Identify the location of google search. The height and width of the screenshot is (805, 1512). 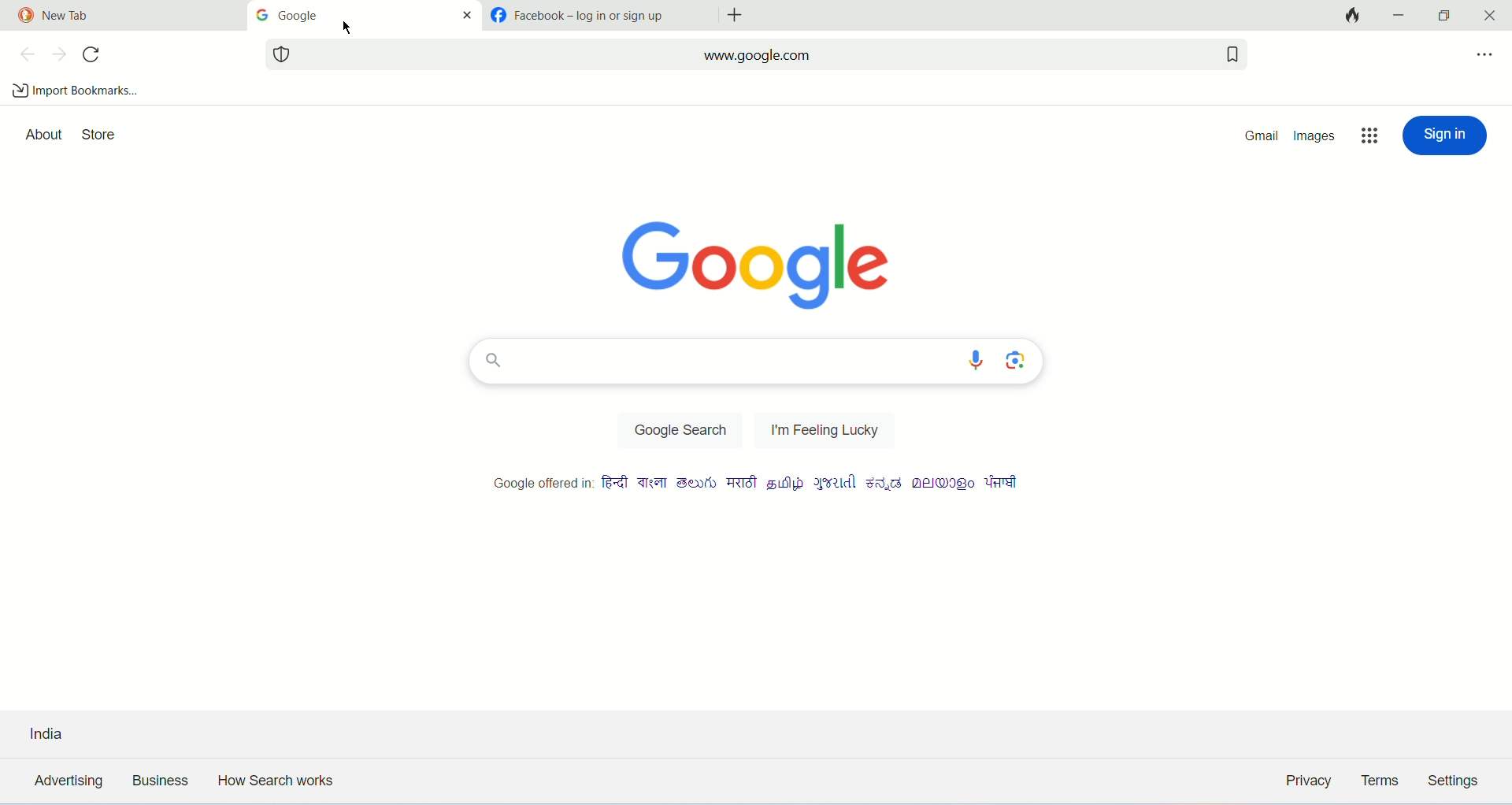
(686, 432).